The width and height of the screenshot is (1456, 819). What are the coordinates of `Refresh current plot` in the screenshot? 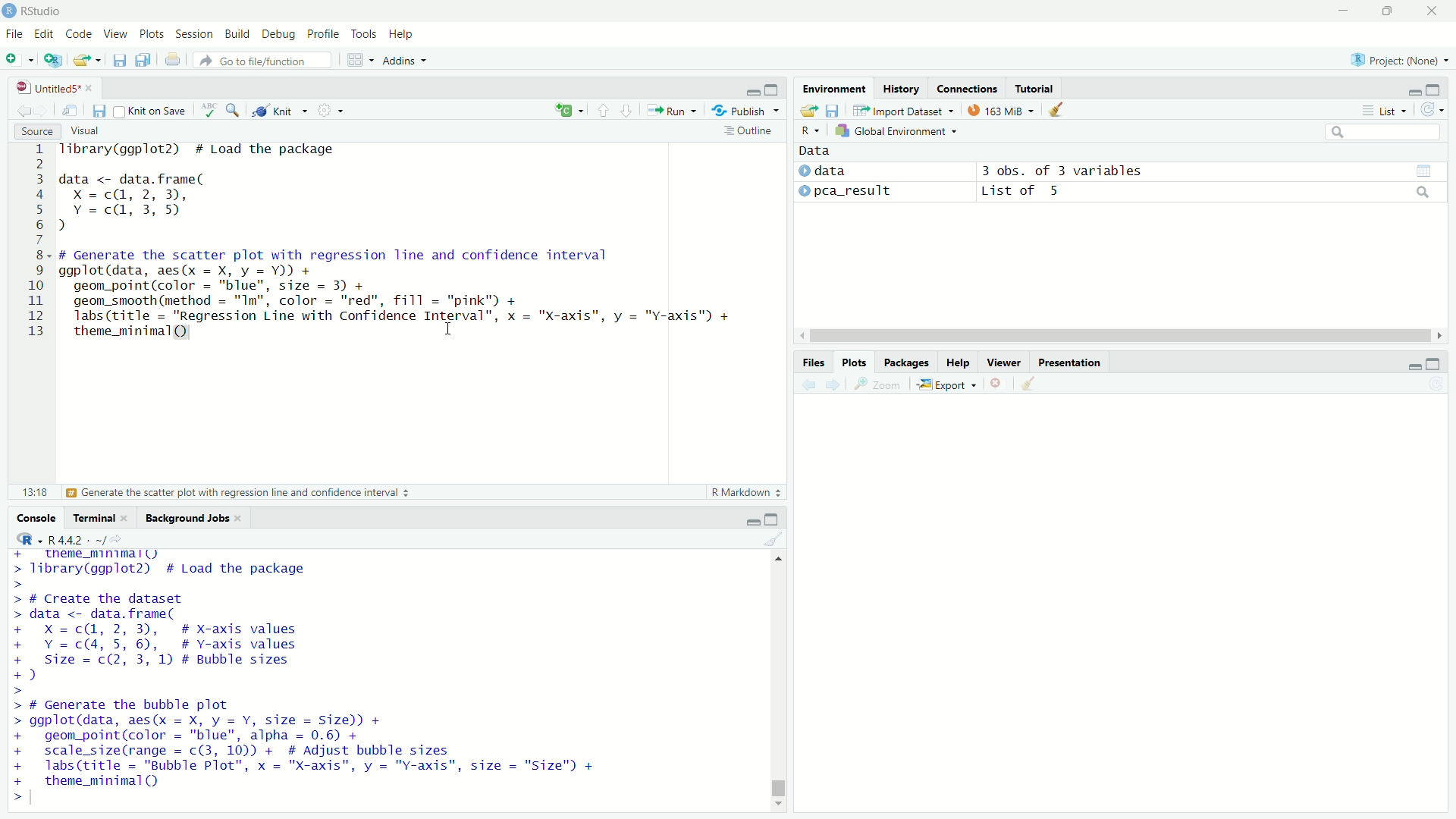 It's located at (1436, 383).